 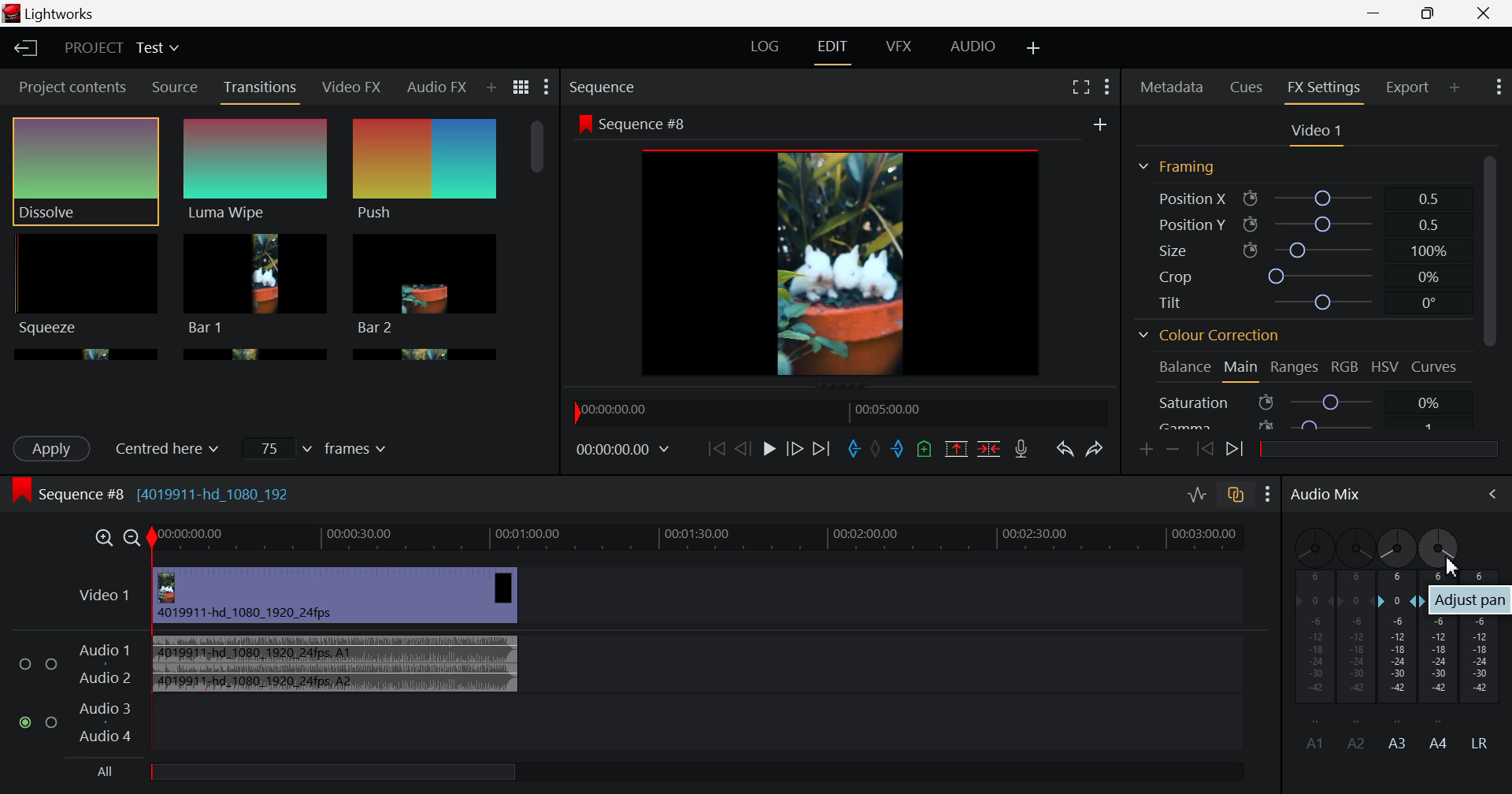 What do you see at coordinates (1172, 449) in the screenshot?
I see `Remove keyframe` at bounding box center [1172, 449].